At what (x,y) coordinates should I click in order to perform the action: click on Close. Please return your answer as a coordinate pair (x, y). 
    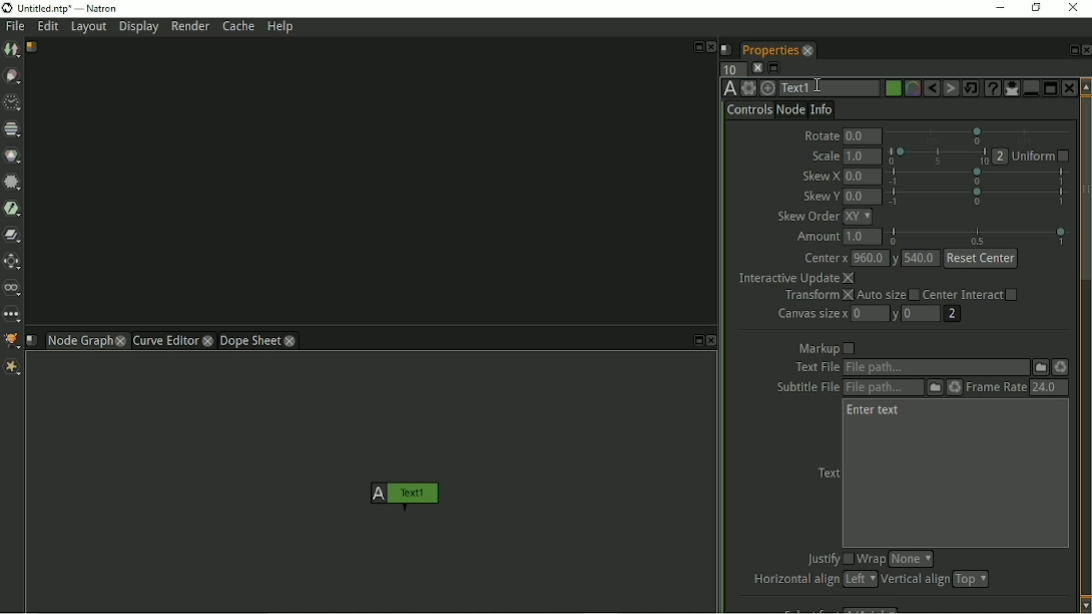
    Looking at the image, I should click on (1068, 88).